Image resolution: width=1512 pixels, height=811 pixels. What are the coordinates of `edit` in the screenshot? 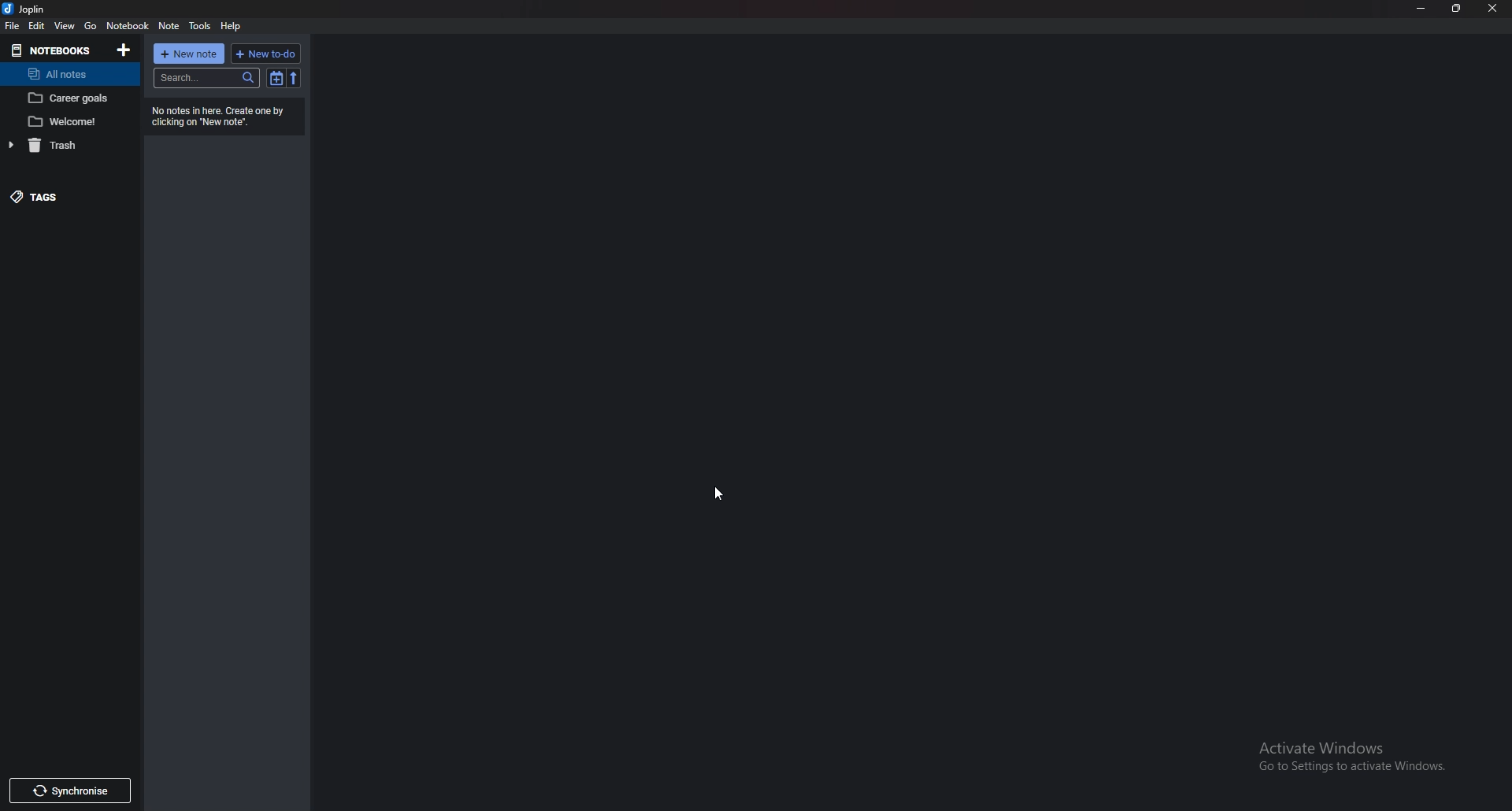 It's located at (38, 27).